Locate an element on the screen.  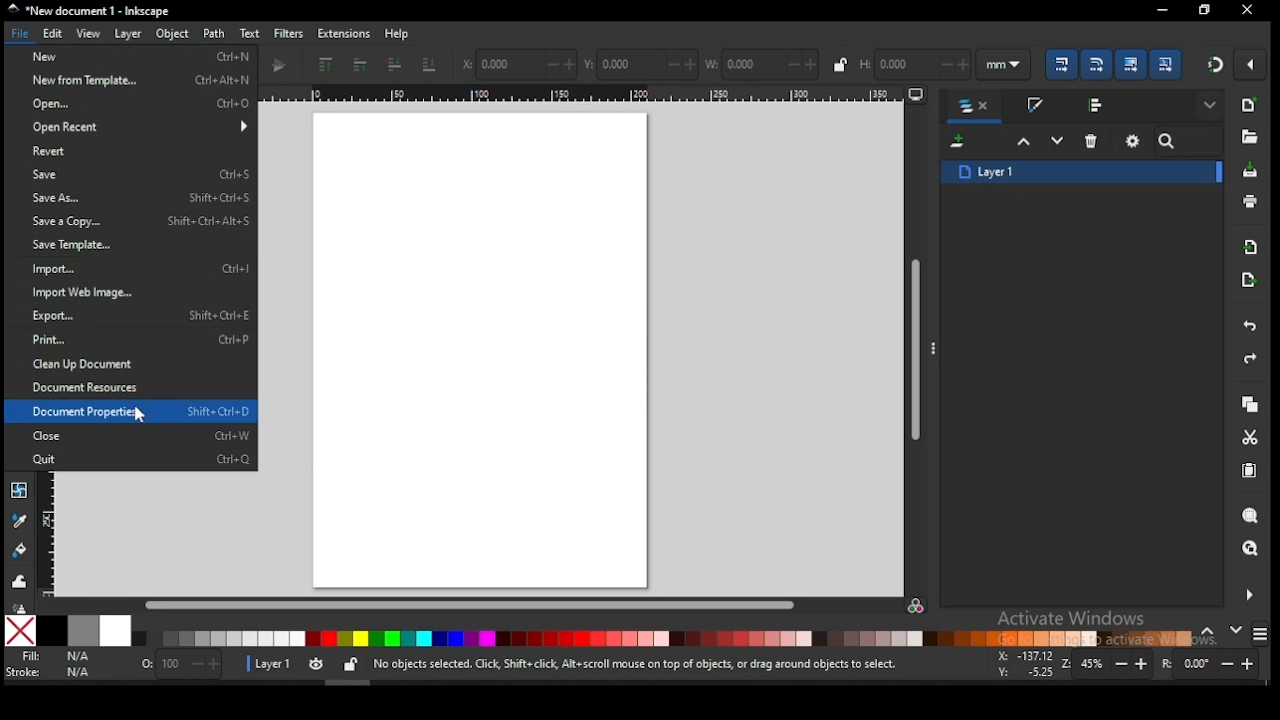
object flip vertical is located at coordinates (282, 66).